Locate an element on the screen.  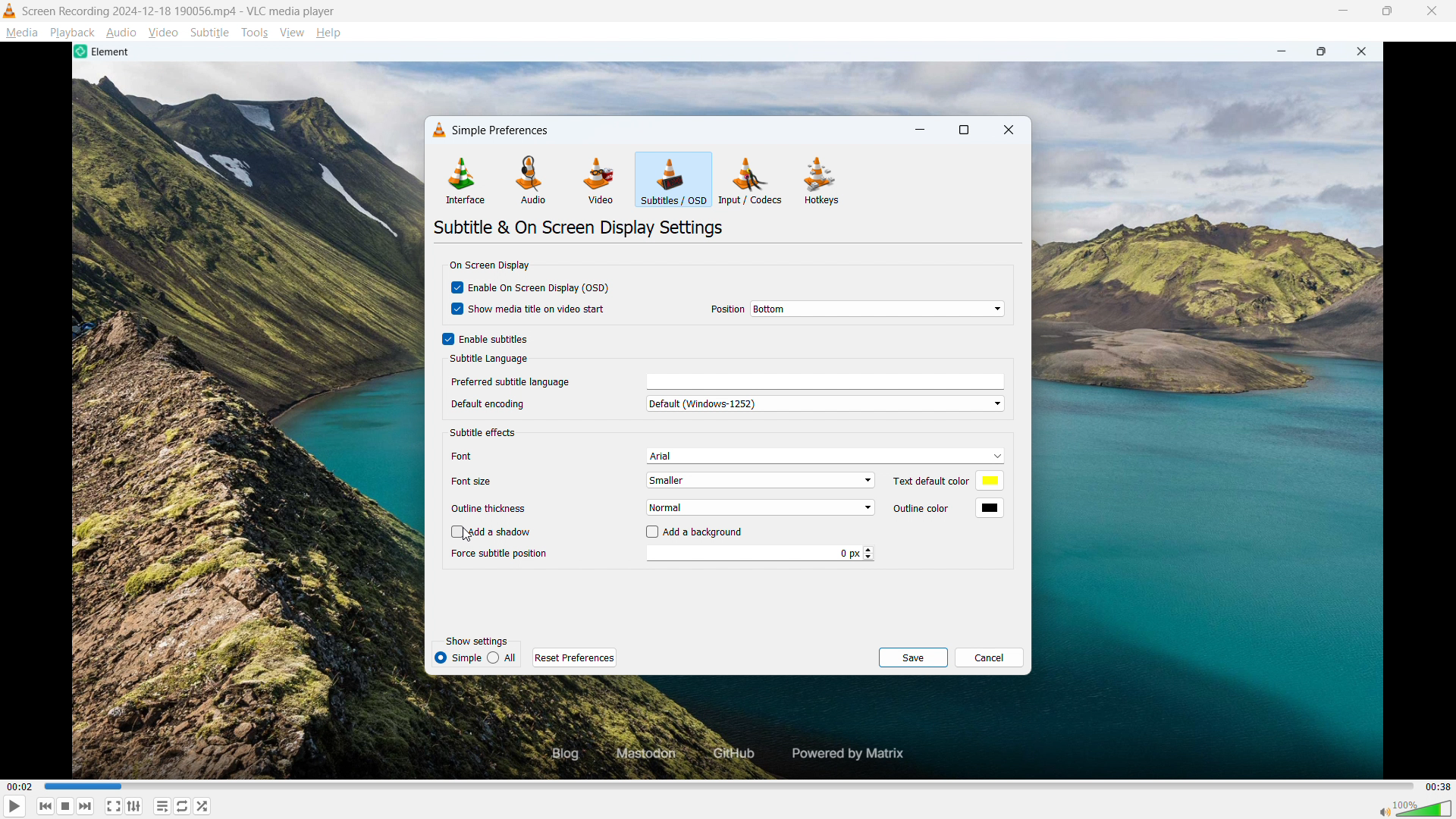
Subtitle effects  is located at coordinates (484, 432).